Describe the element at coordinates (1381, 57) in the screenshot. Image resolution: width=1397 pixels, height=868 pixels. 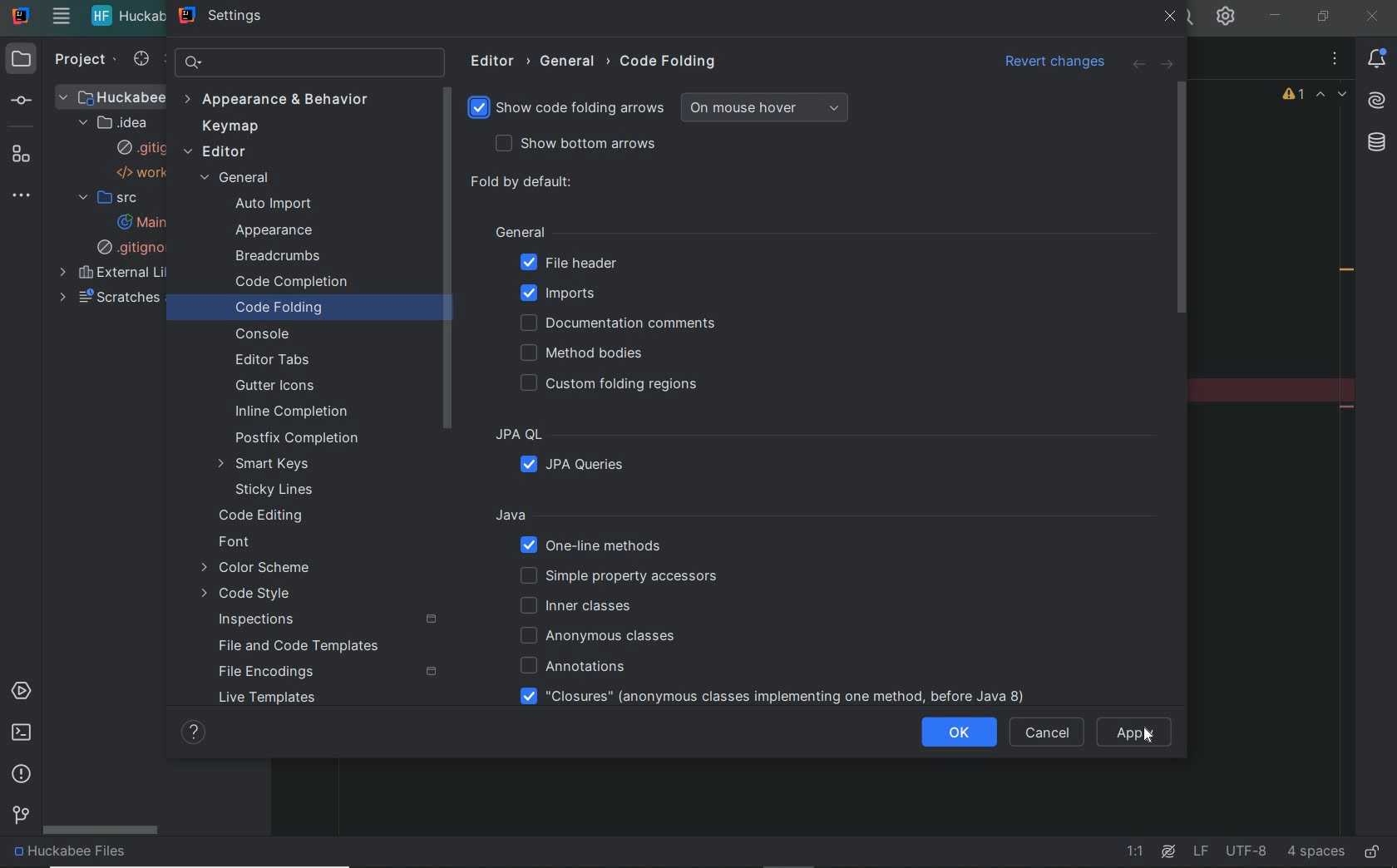
I see `notifications` at that location.